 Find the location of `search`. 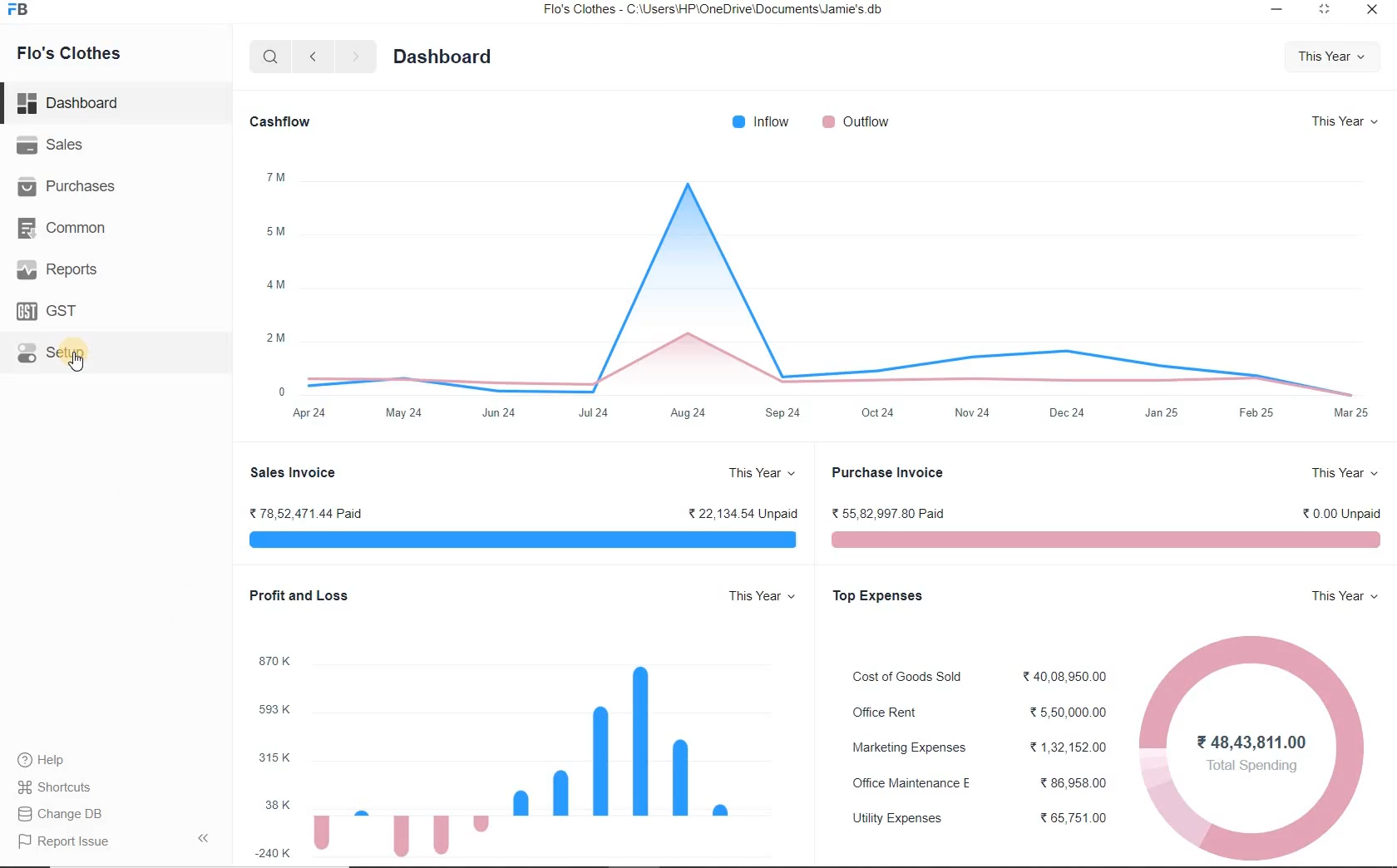

search is located at coordinates (271, 57).